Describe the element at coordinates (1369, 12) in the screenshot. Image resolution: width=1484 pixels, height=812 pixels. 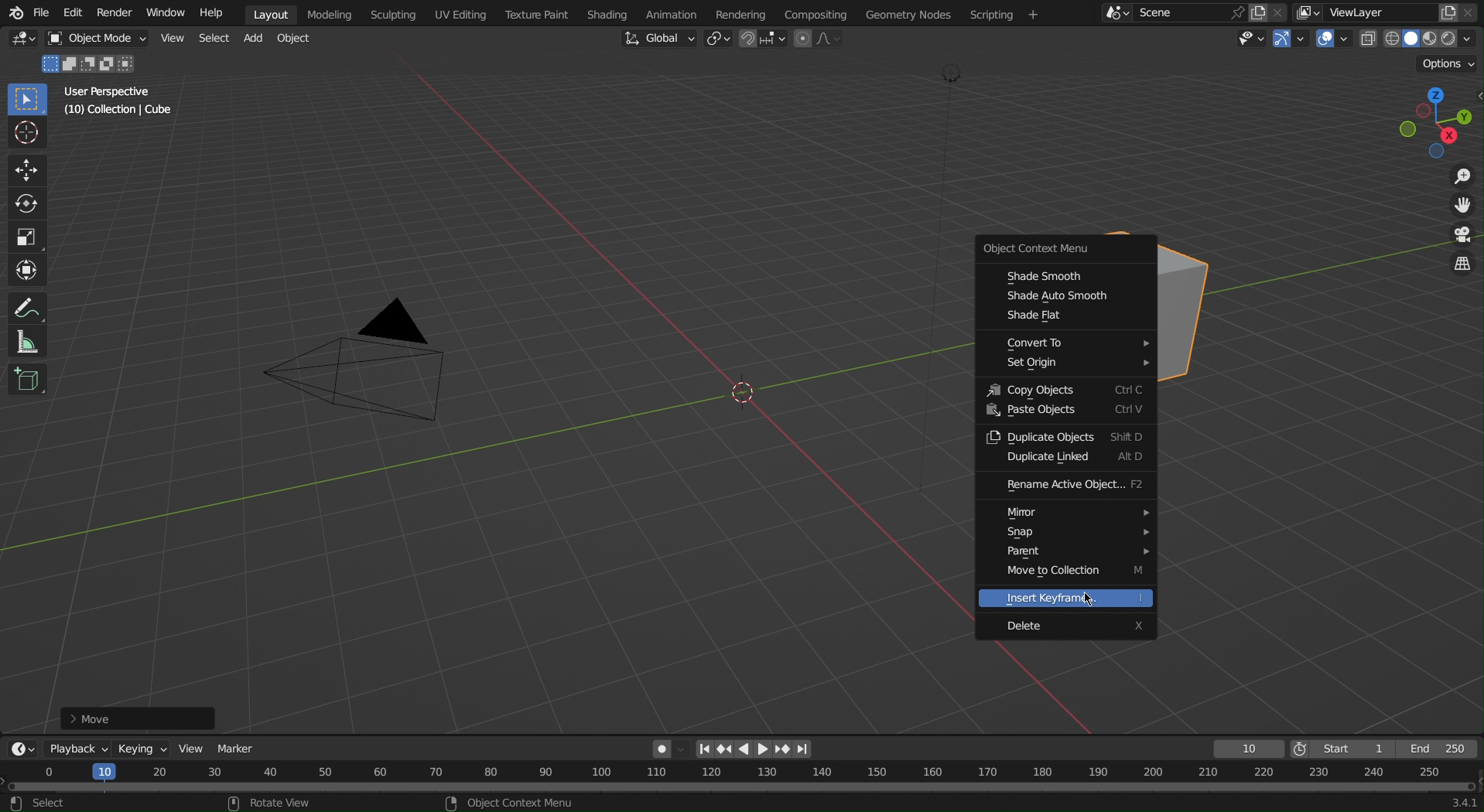
I see `ViewLayer` at that location.